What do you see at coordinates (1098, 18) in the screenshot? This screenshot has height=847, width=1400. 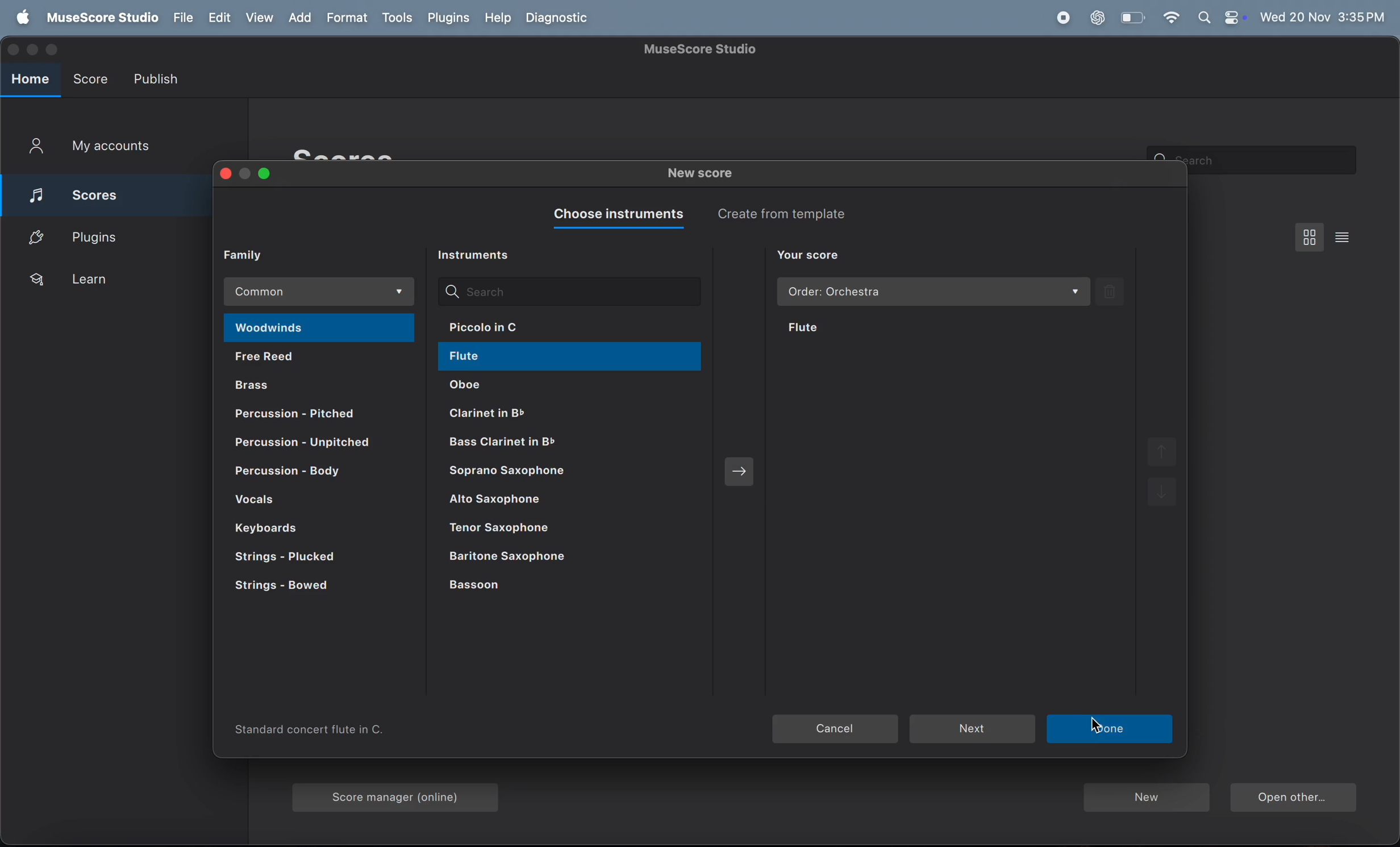 I see `chat gpt` at bounding box center [1098, 18].